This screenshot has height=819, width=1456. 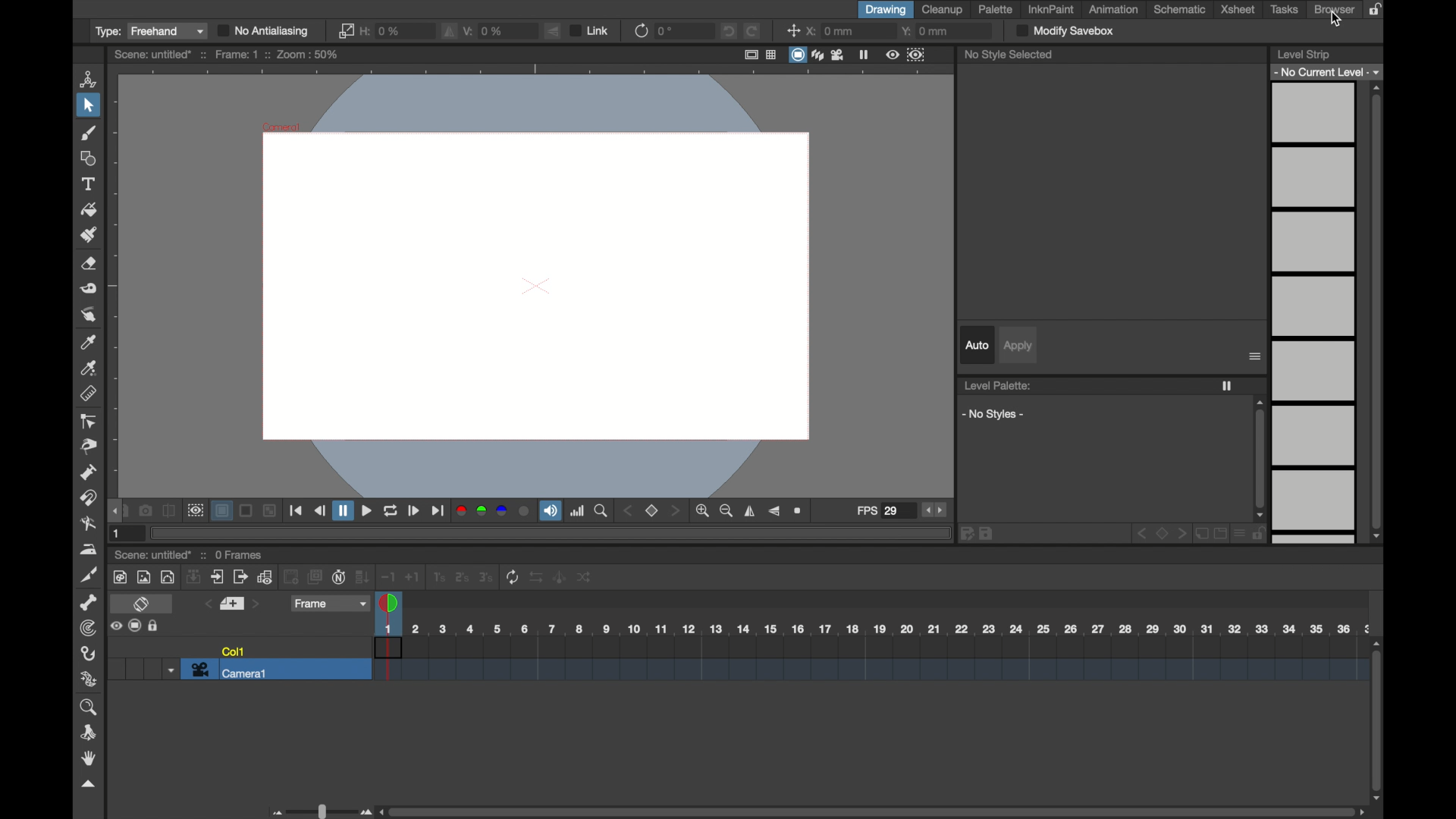 What do you see at coordinates (232, 604) in the screenshot?
I see `set` at bounding box center [232, 604].